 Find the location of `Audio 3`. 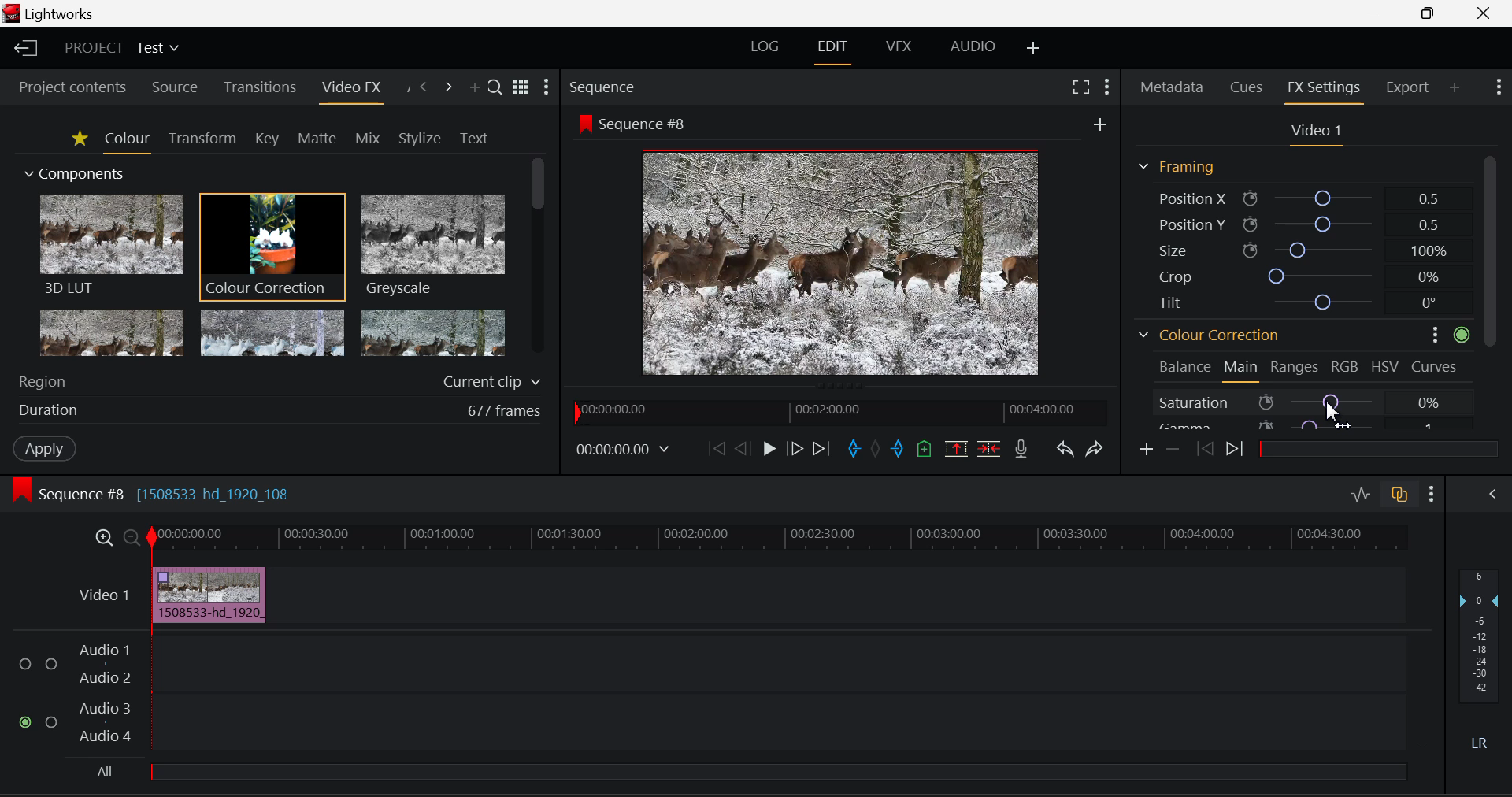

Audio 3 is located at coordinates (105, 710).